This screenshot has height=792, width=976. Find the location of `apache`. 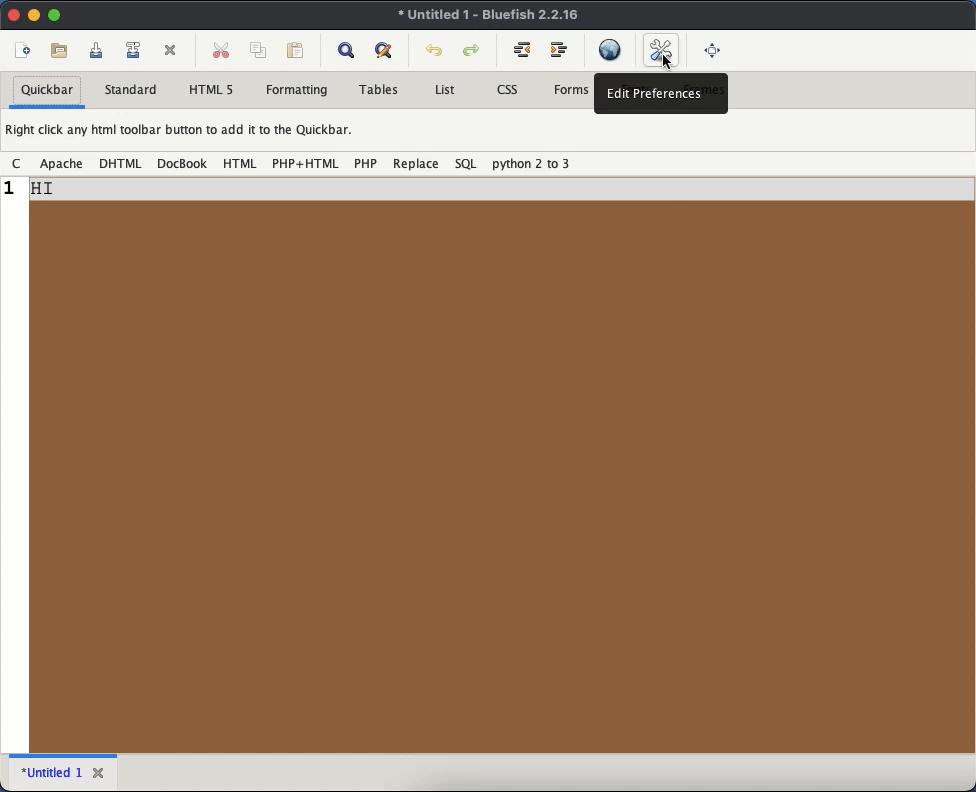

apache is located at coordinates (60, 164).